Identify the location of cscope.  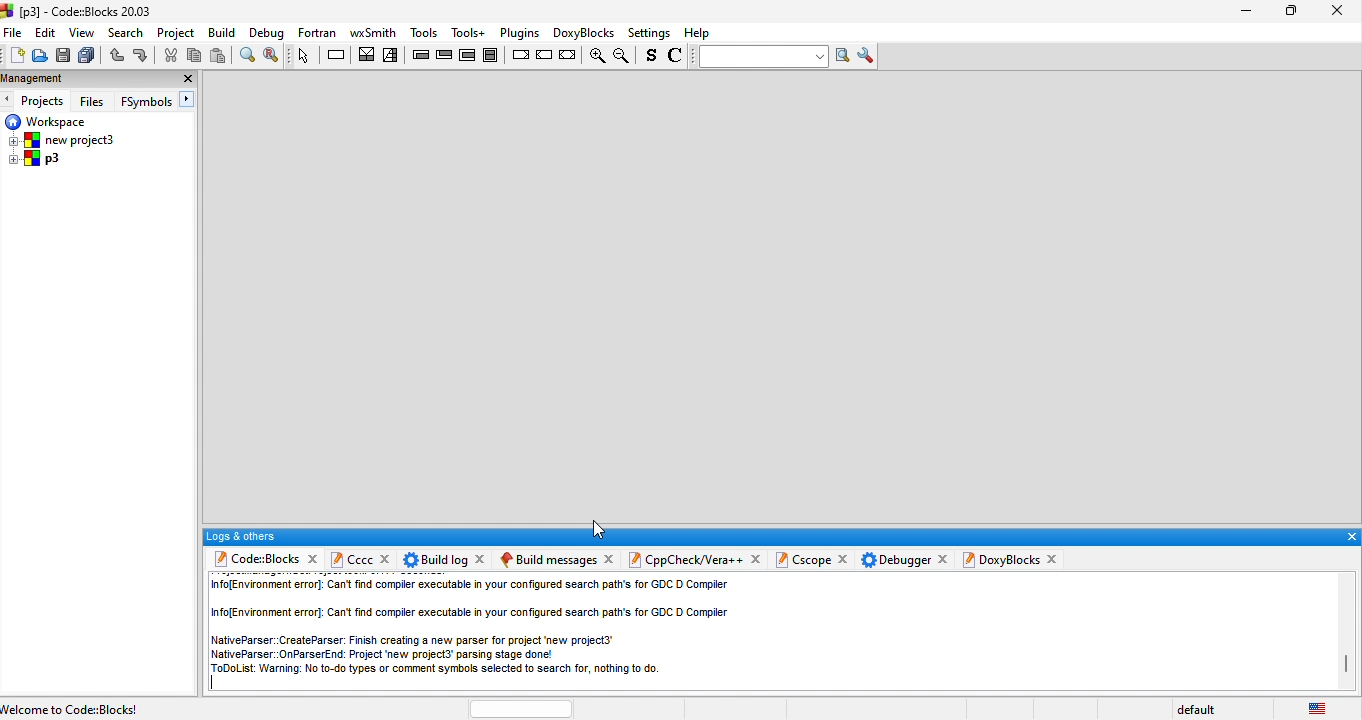
(802, 561).